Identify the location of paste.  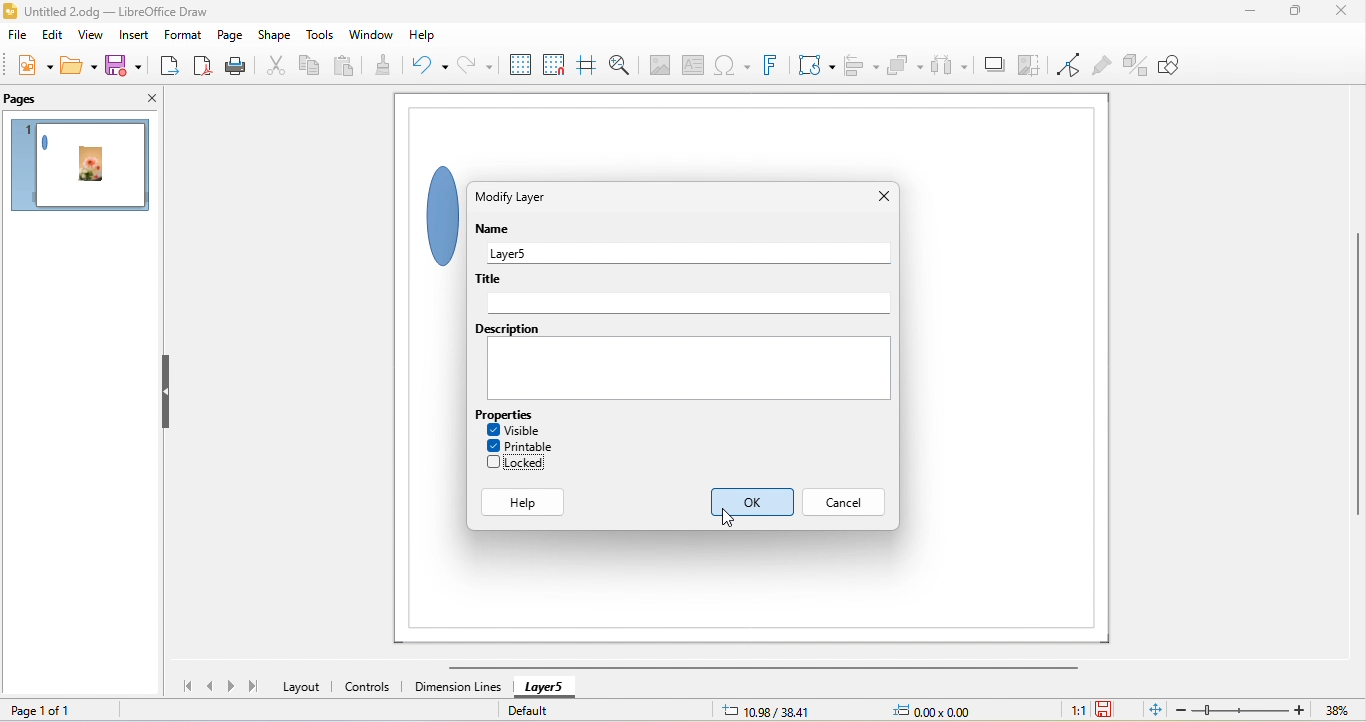
(348, 63).